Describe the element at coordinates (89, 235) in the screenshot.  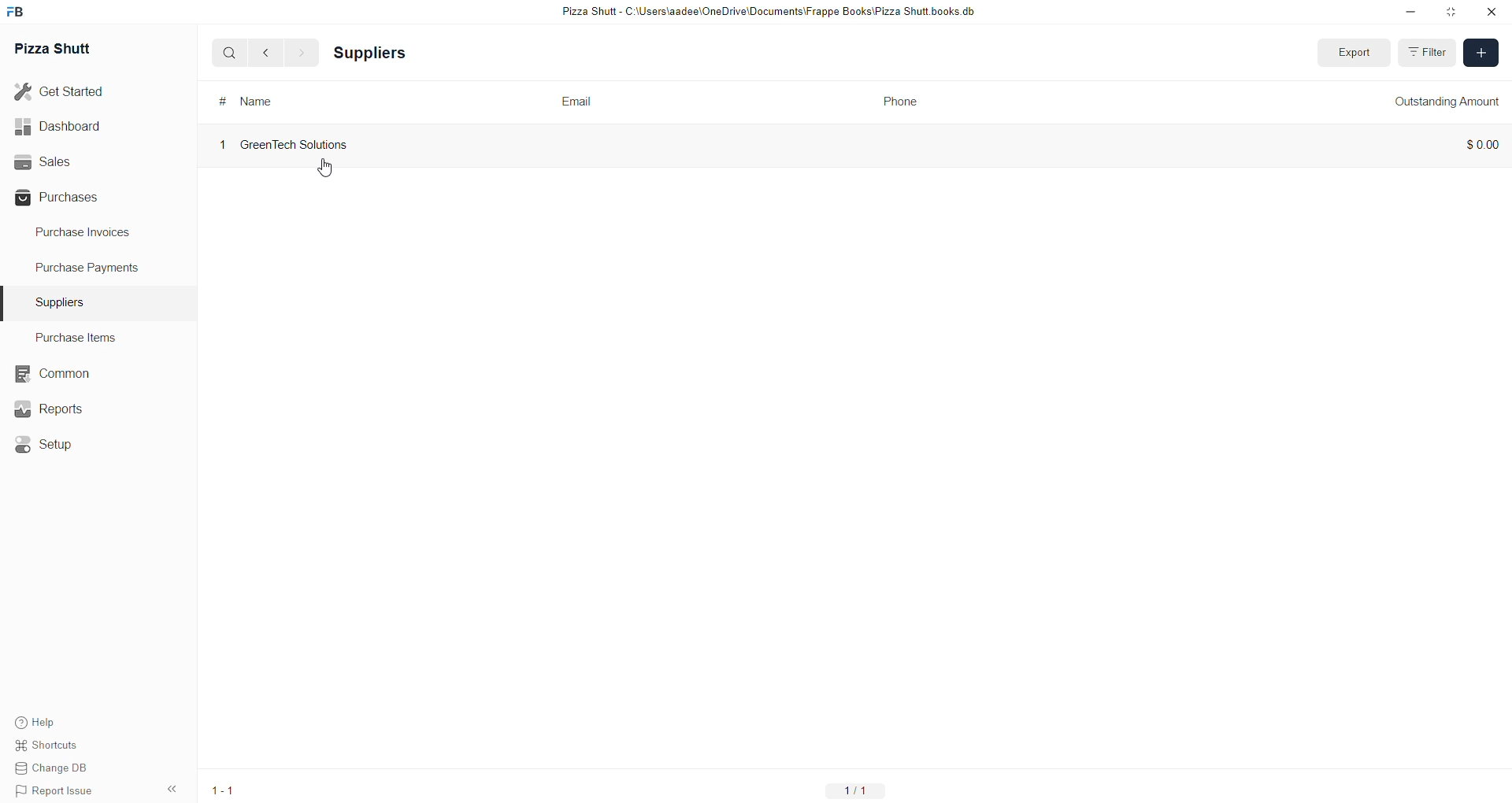
I see `Purchase Invoices` at that location.